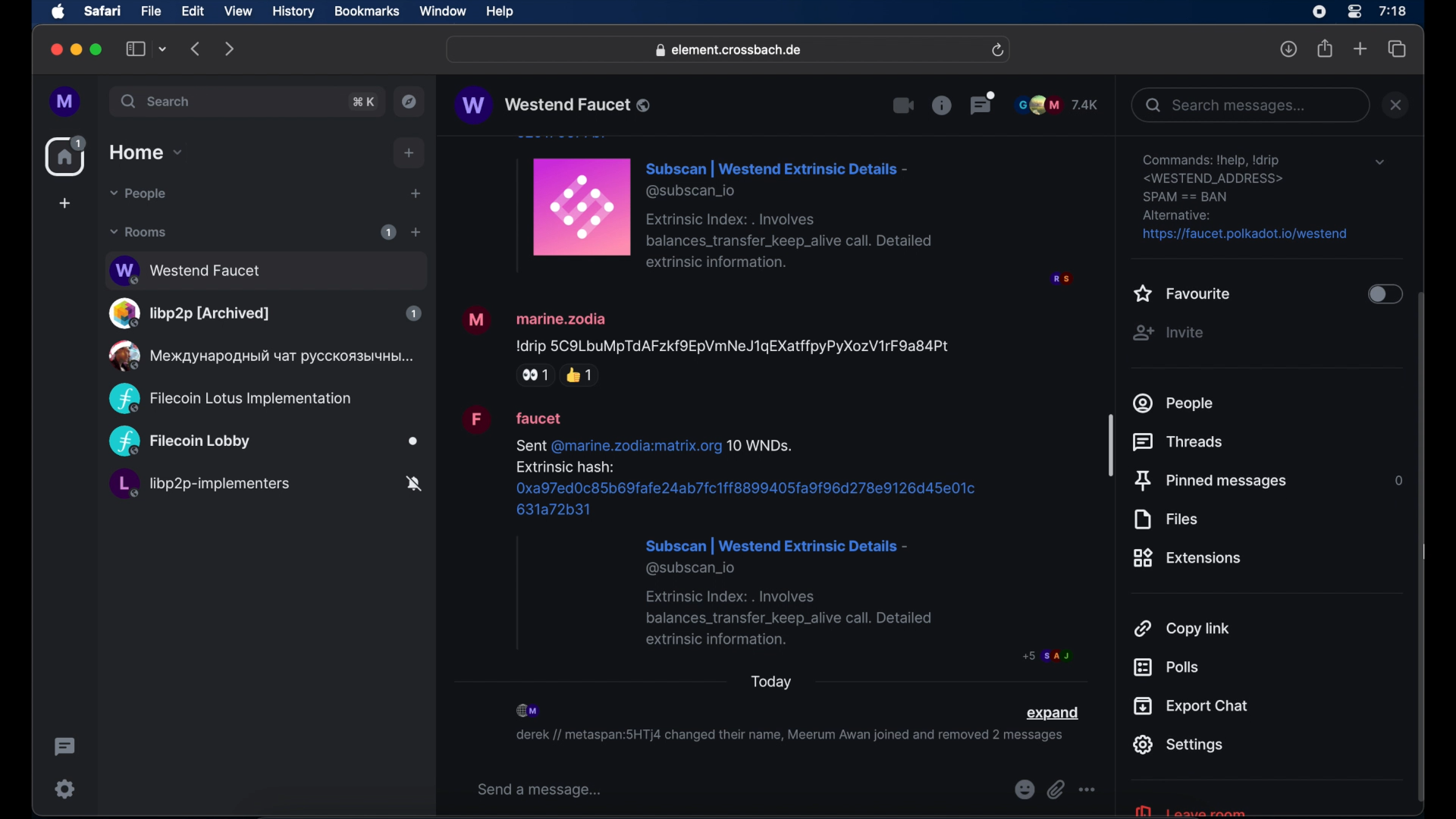 Image resolution: width=1456 pixels, height=819 pixels. What do you see at coordinates (1396, 105) in the screenshot?
I see `close` at bounding box center [1396, 105].